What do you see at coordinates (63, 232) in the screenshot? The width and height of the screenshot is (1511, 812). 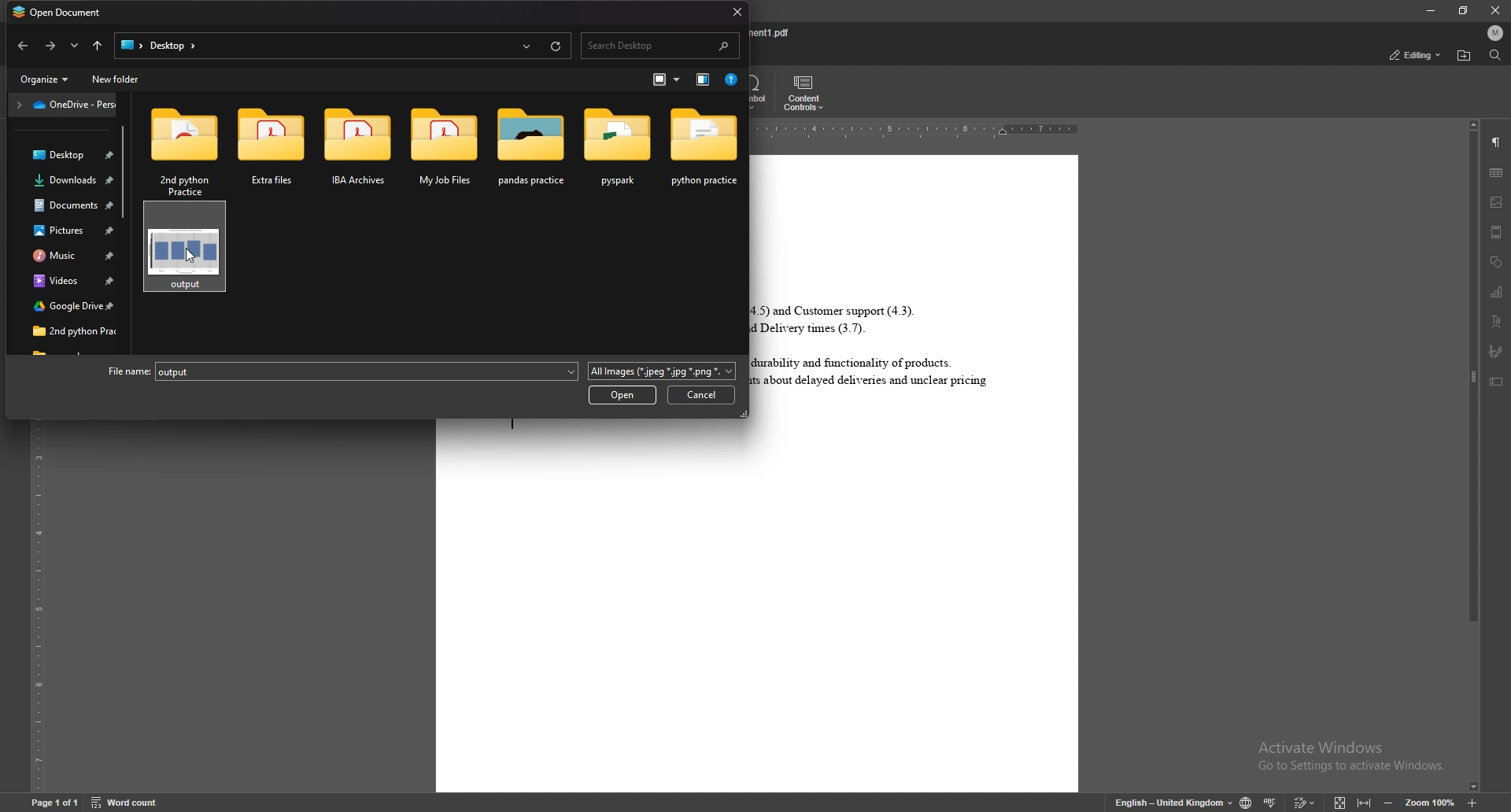 I see `folder` at bounding box center [63, 232].